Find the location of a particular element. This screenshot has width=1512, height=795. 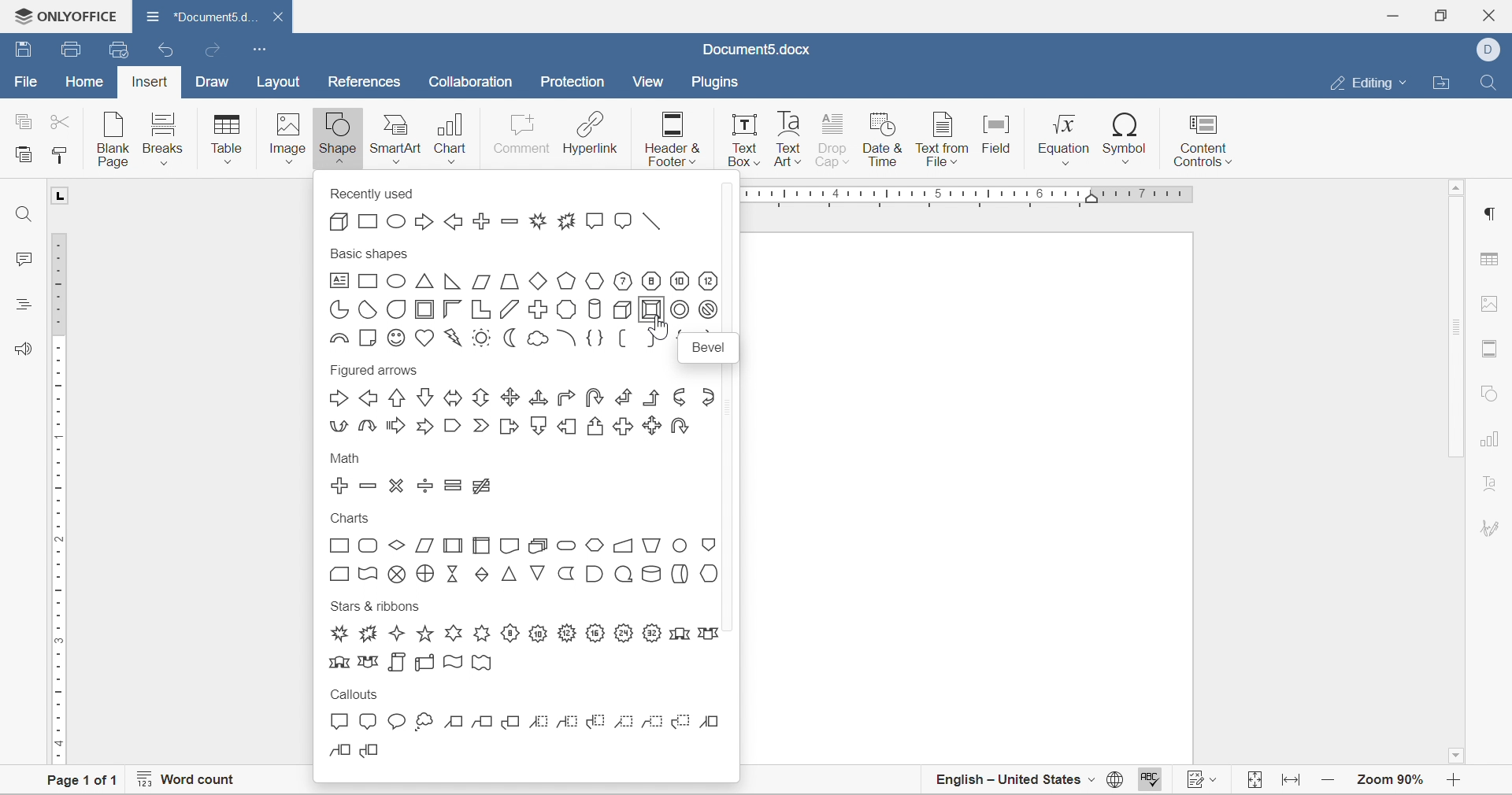

math is located at coordinates (414, 474).